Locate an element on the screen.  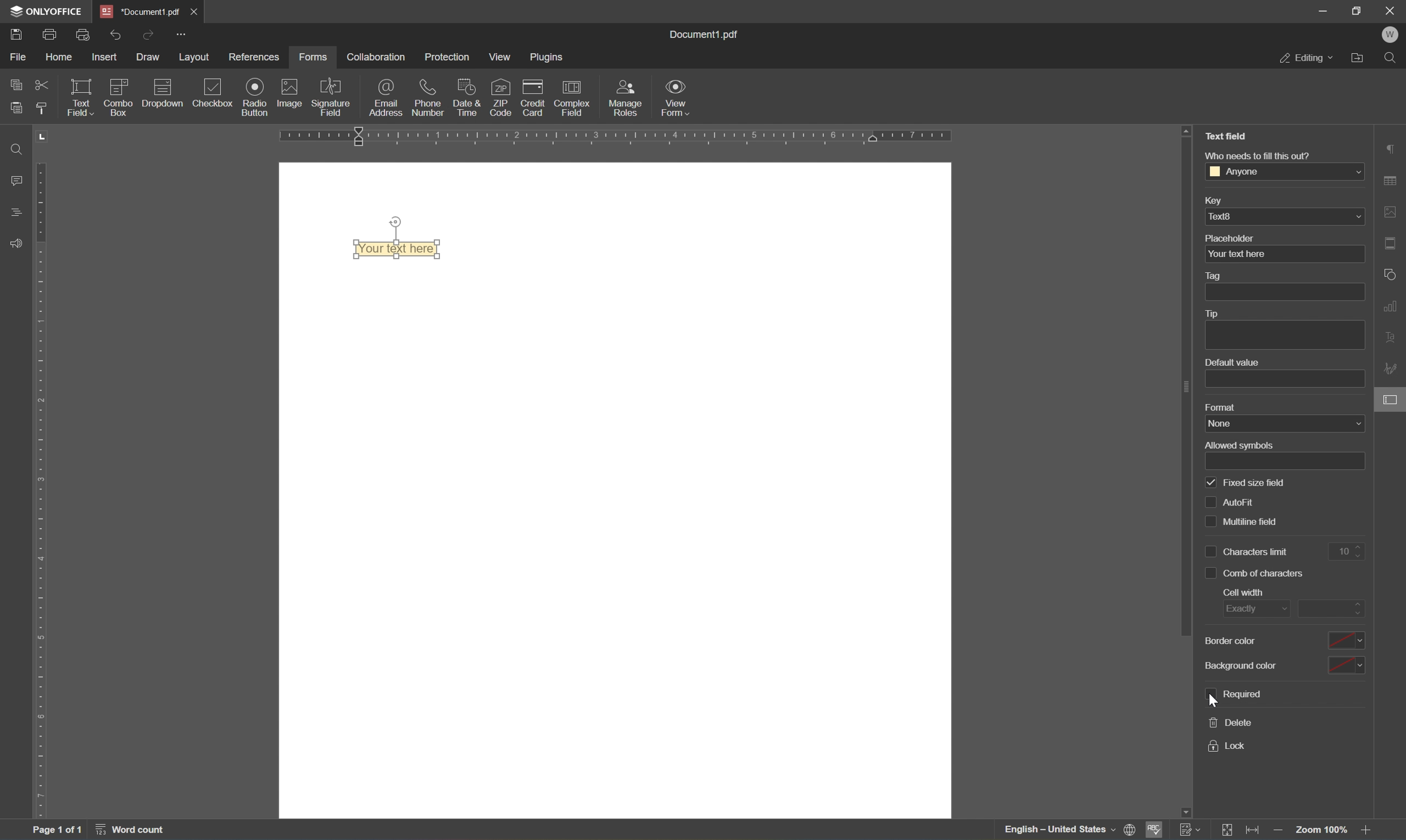
clear style is located at coordinates (43, 109).